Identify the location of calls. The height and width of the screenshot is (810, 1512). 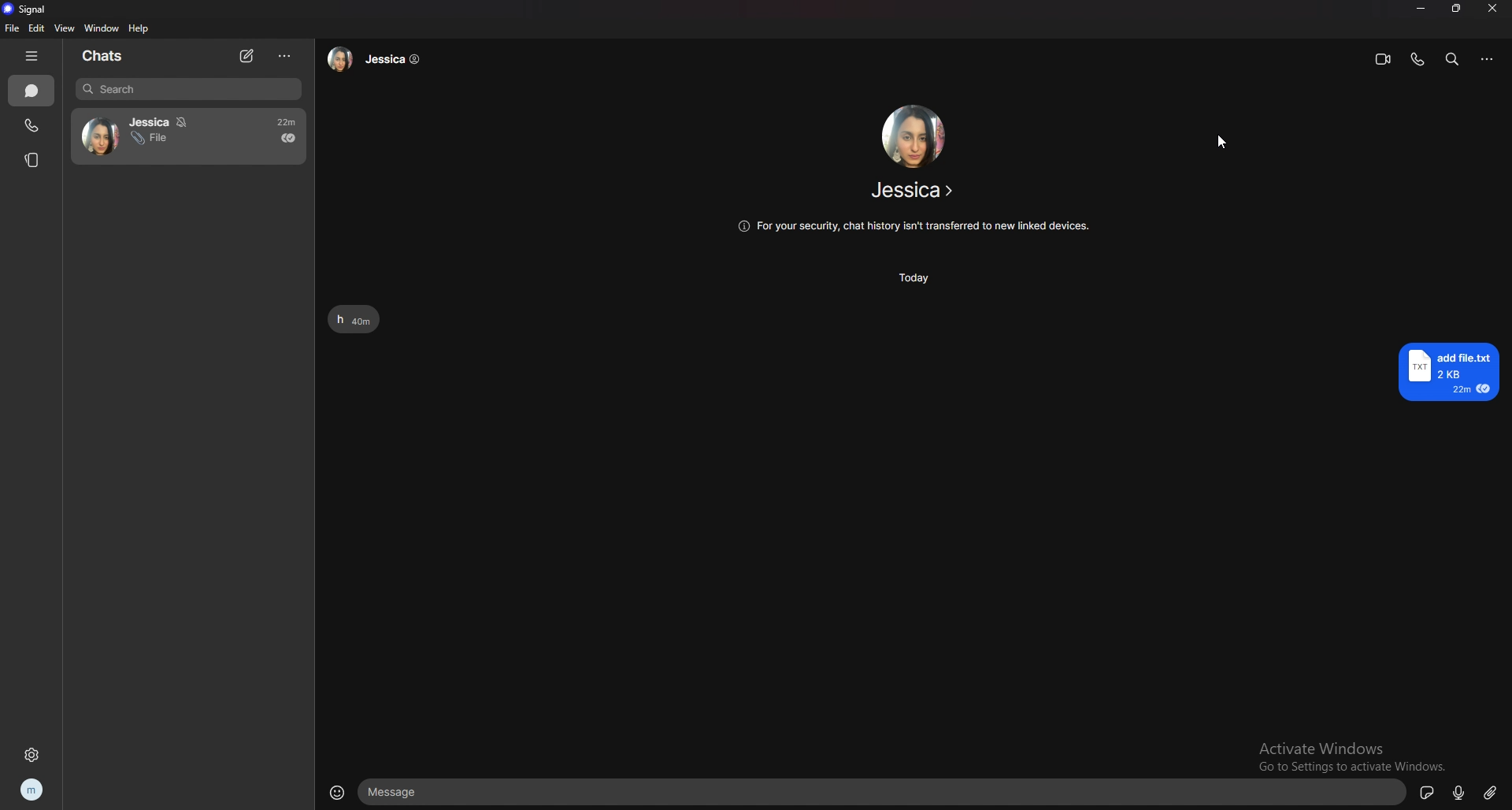
(34, 126).